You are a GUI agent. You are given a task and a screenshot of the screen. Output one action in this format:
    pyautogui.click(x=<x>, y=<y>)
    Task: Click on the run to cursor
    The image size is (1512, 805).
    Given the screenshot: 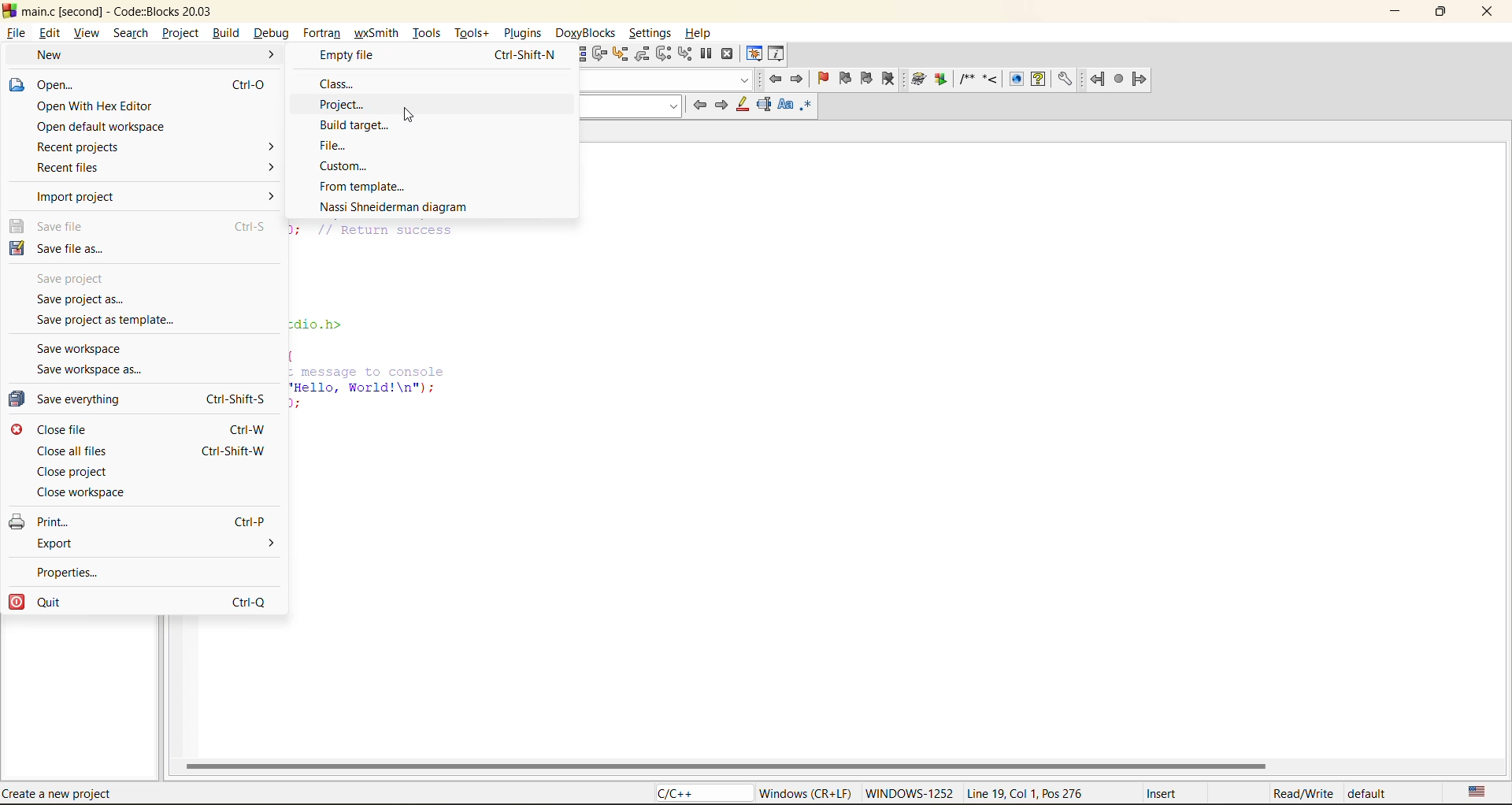 What is the action you would take?
    pyautogui.click(x=576, y=54)
    